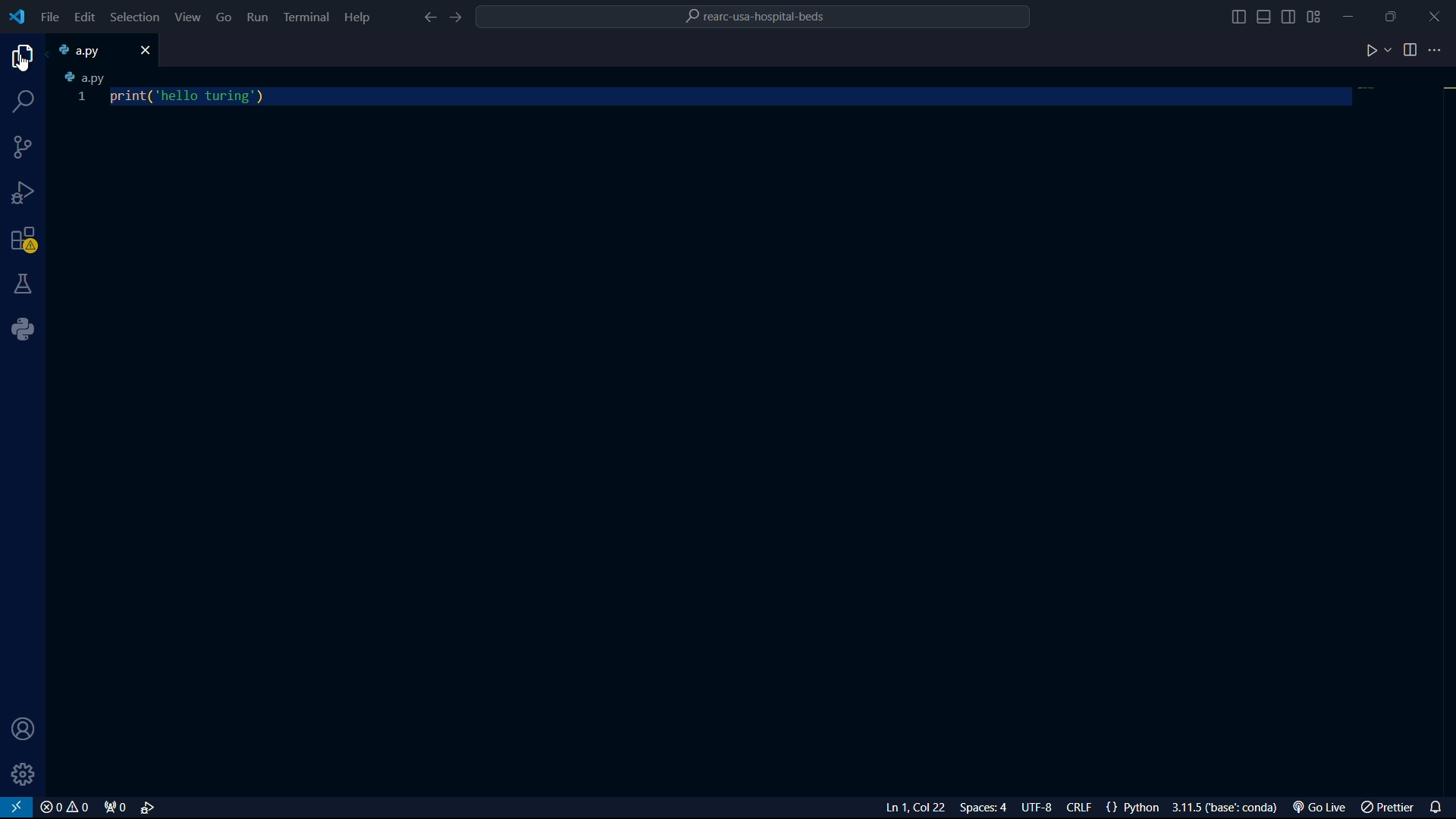 The width and height of the screenshot is (1456, 819). Describe the element at coordinates (25, 195) in the screenshot. I see `run and debugging` at that location.